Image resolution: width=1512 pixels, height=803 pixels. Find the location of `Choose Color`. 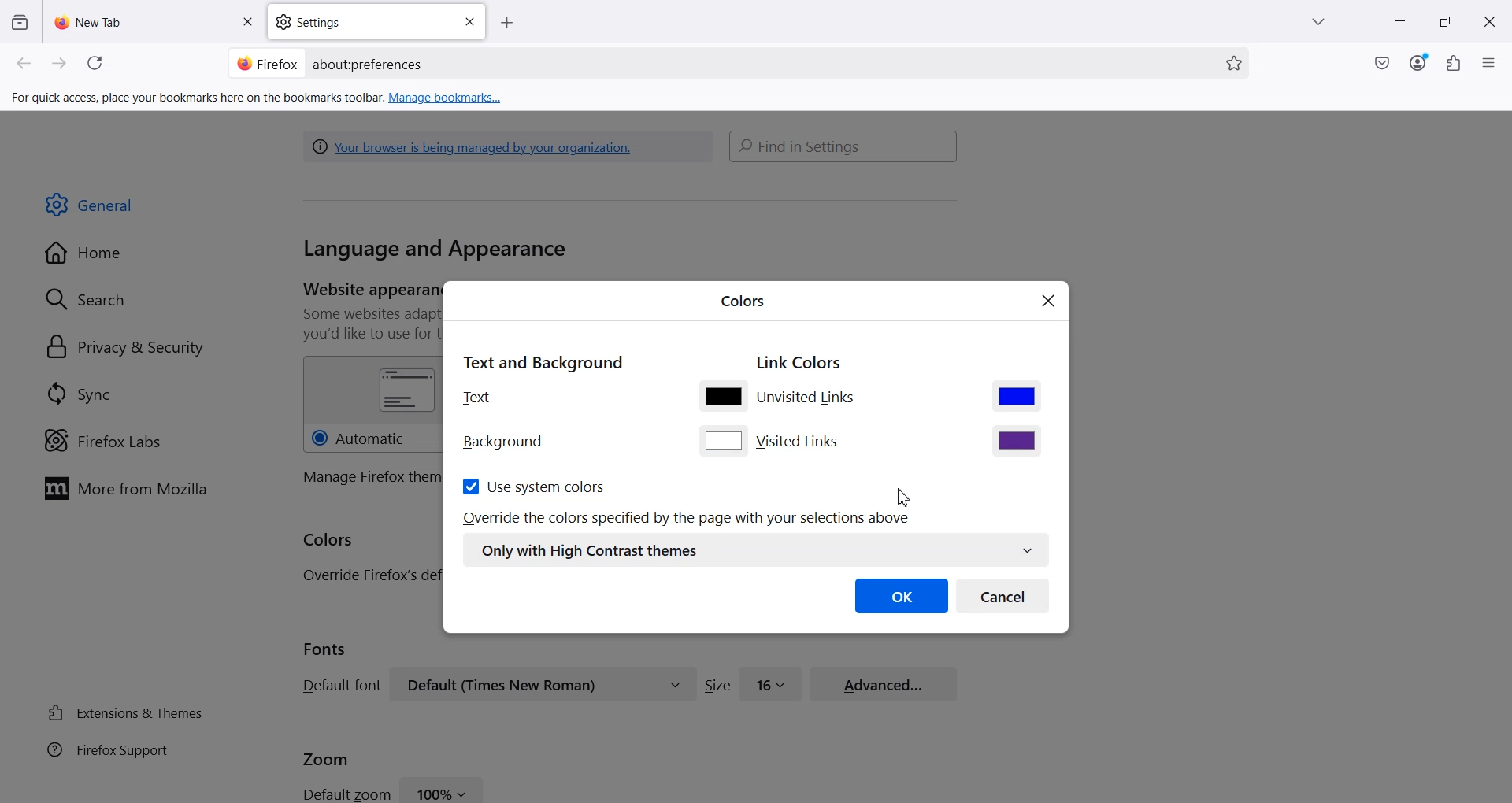

Choose Color is located at coordinates (1017, 440).